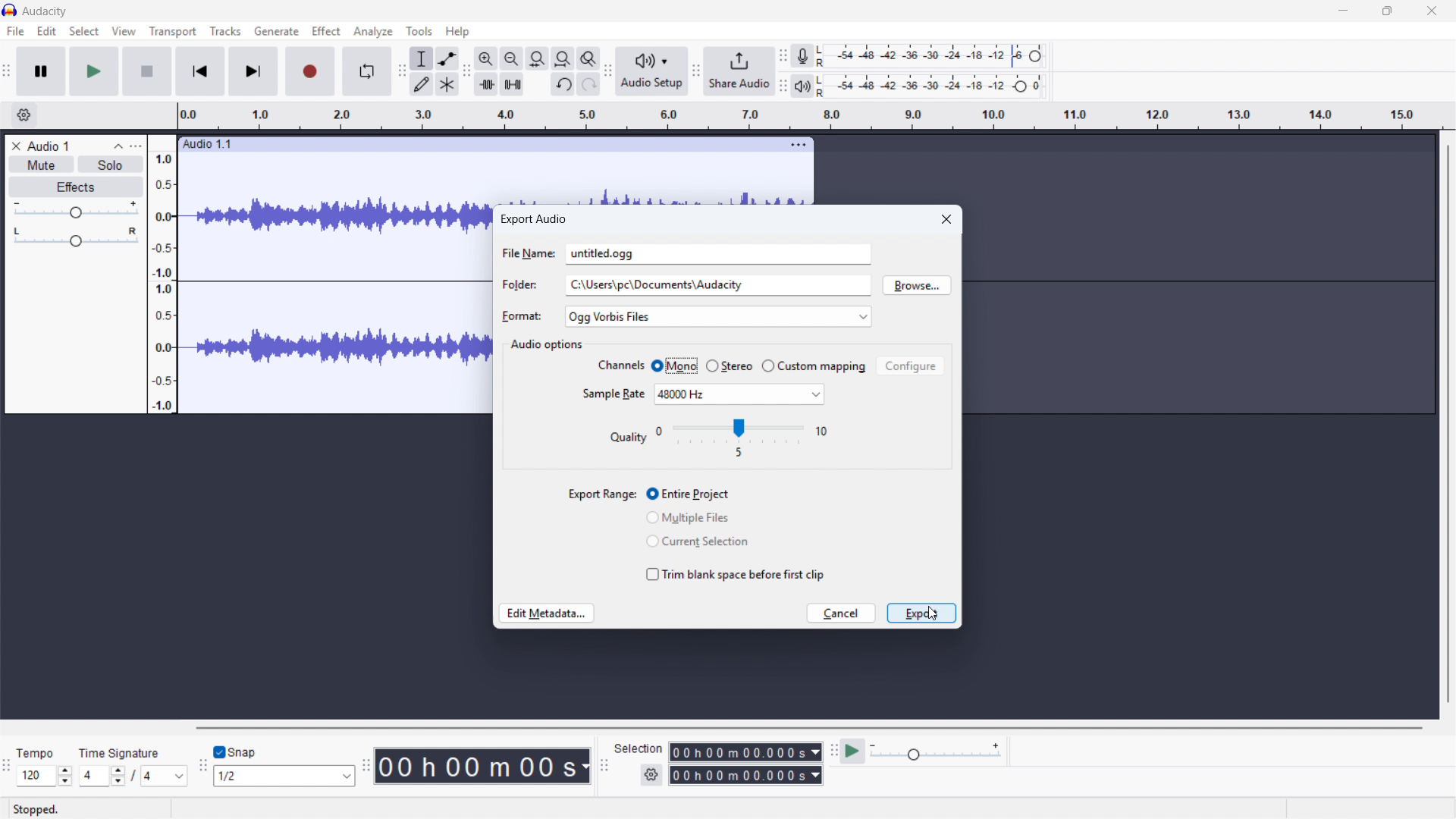 Image resolution: width=1456 pixels, height=819 pixels. I want to click on Undo , so click(564, 83).